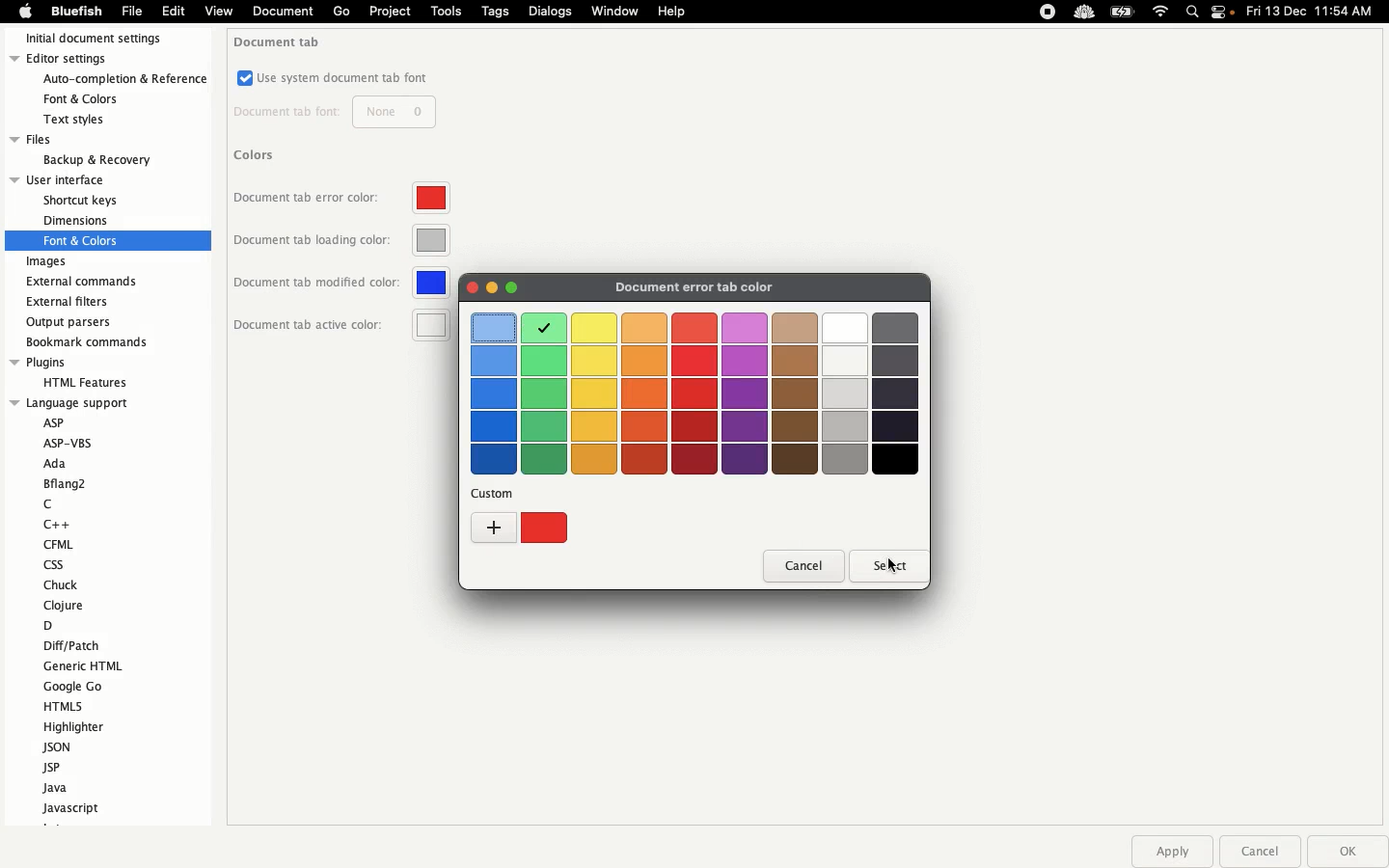  I want to click on backup & recovery, so click(95, 160).